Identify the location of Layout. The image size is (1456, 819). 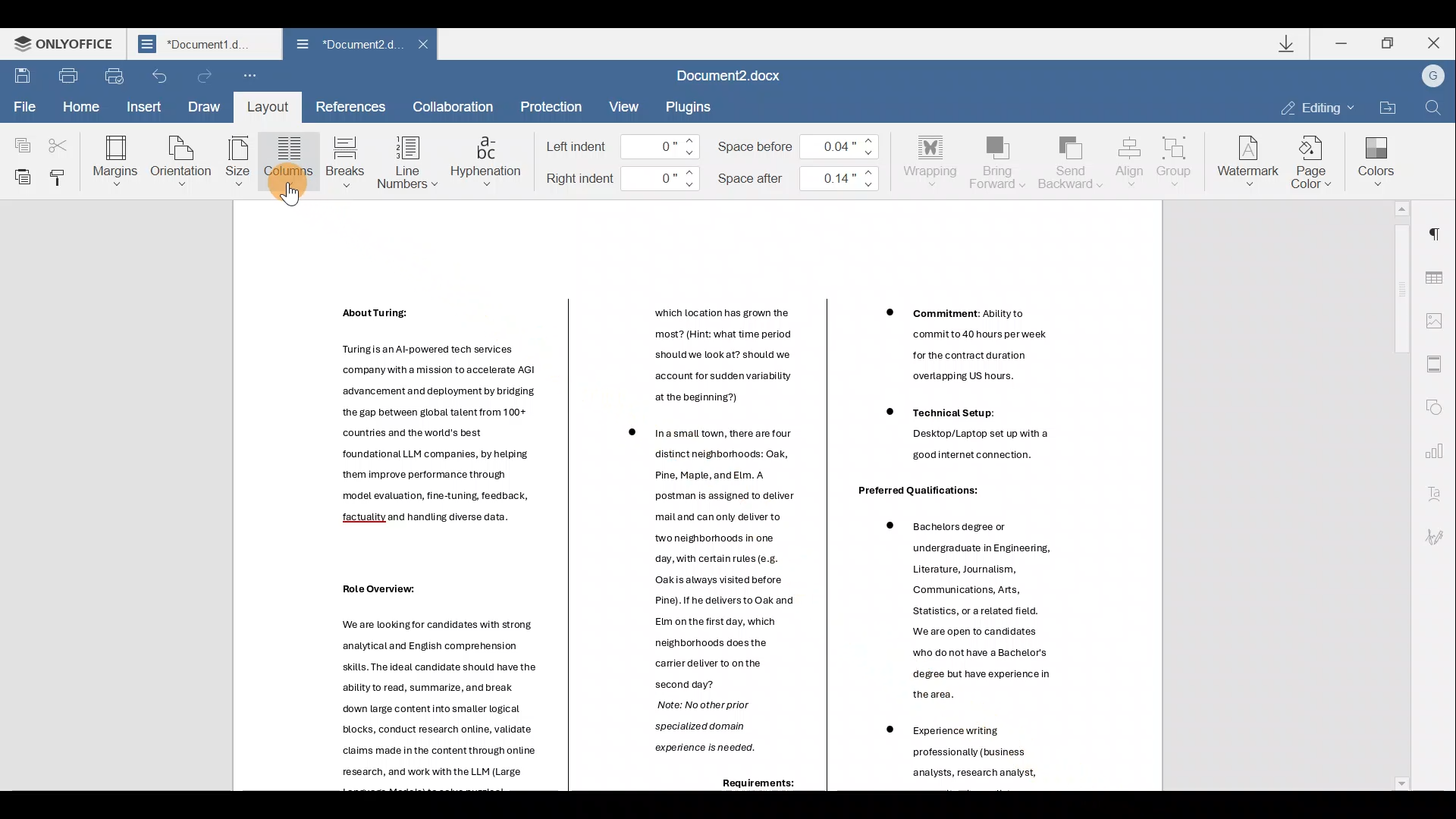
(267, 106).